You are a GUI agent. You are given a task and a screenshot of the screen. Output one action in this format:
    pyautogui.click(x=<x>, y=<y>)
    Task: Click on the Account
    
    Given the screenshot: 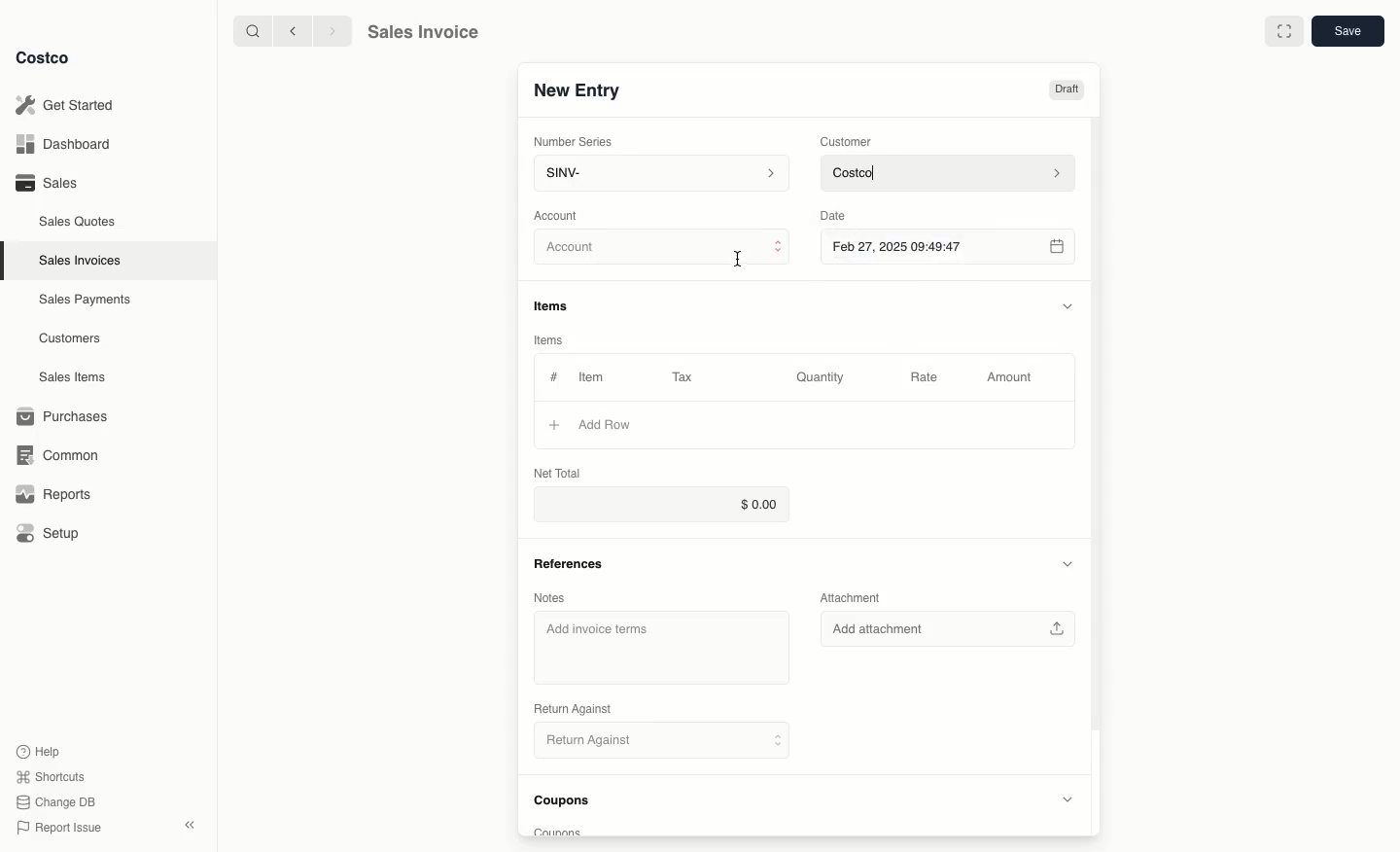 What is the action you would take?
    pyautogui.click(x=662, y=248)
    